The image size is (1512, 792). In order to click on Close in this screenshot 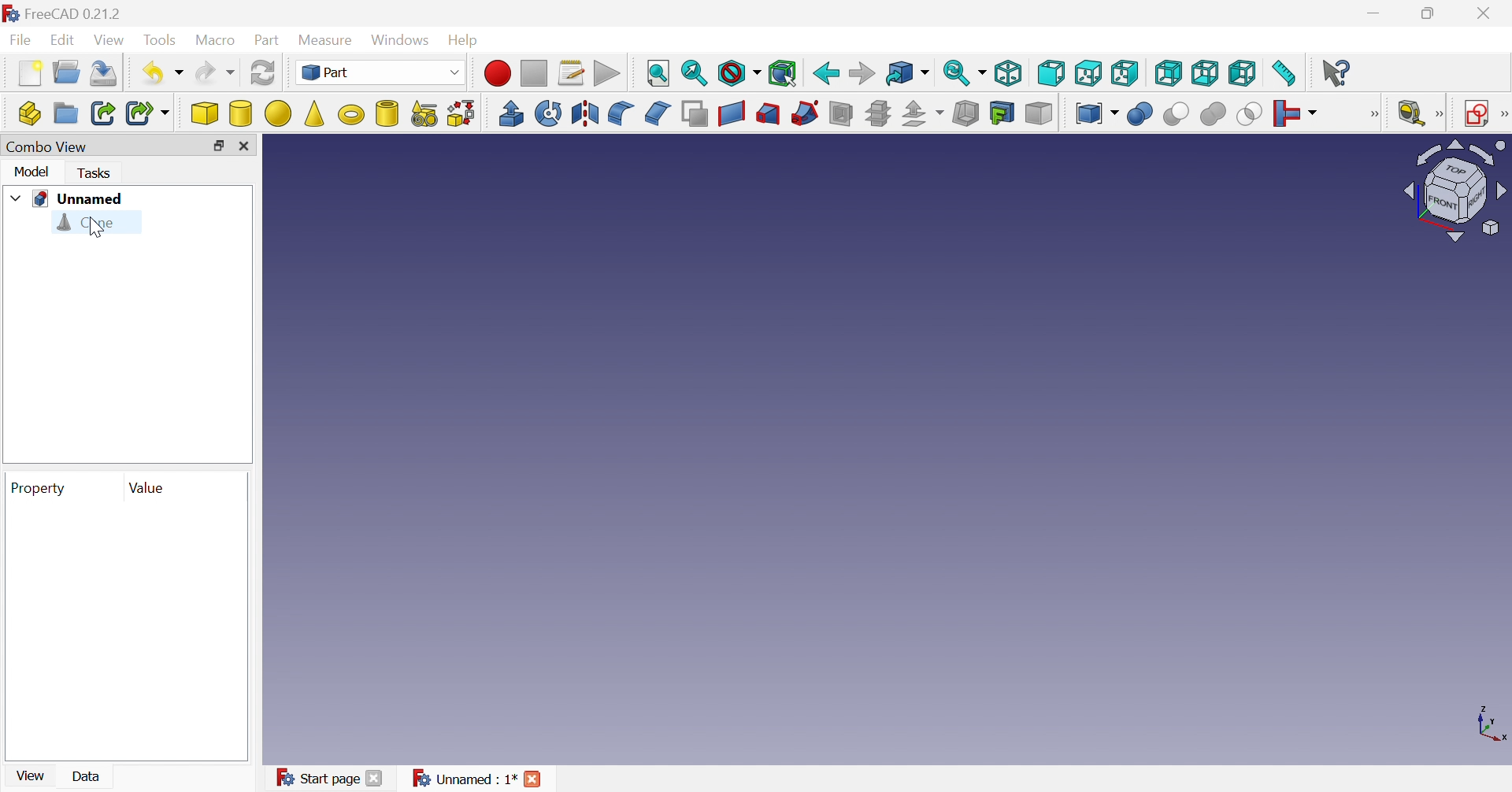, I will do `click(533, 782)`.